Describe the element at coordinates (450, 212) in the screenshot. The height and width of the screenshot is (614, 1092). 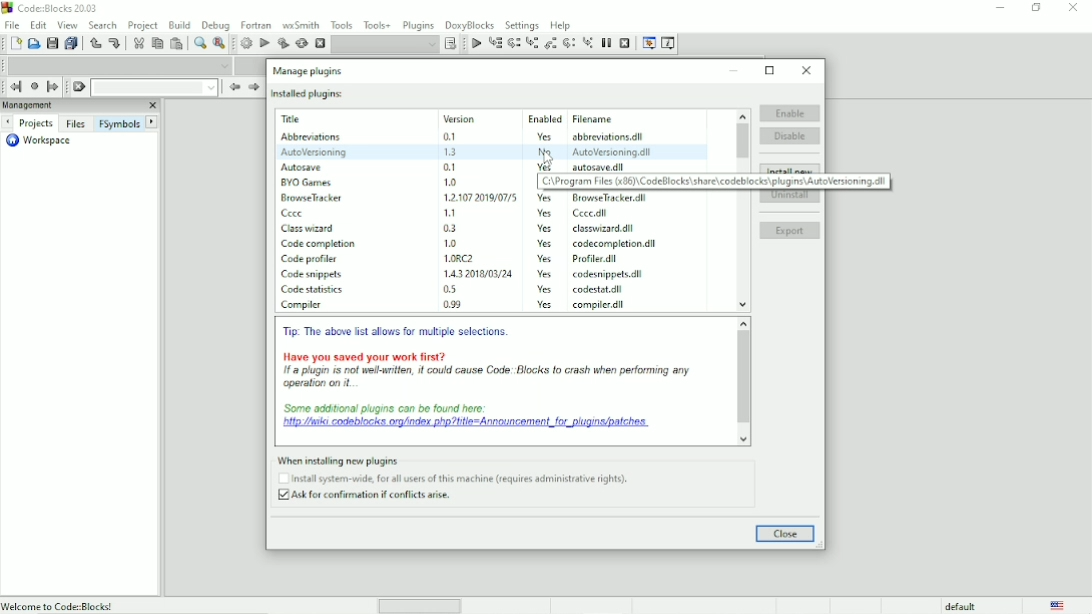
I see `version ` at that location.